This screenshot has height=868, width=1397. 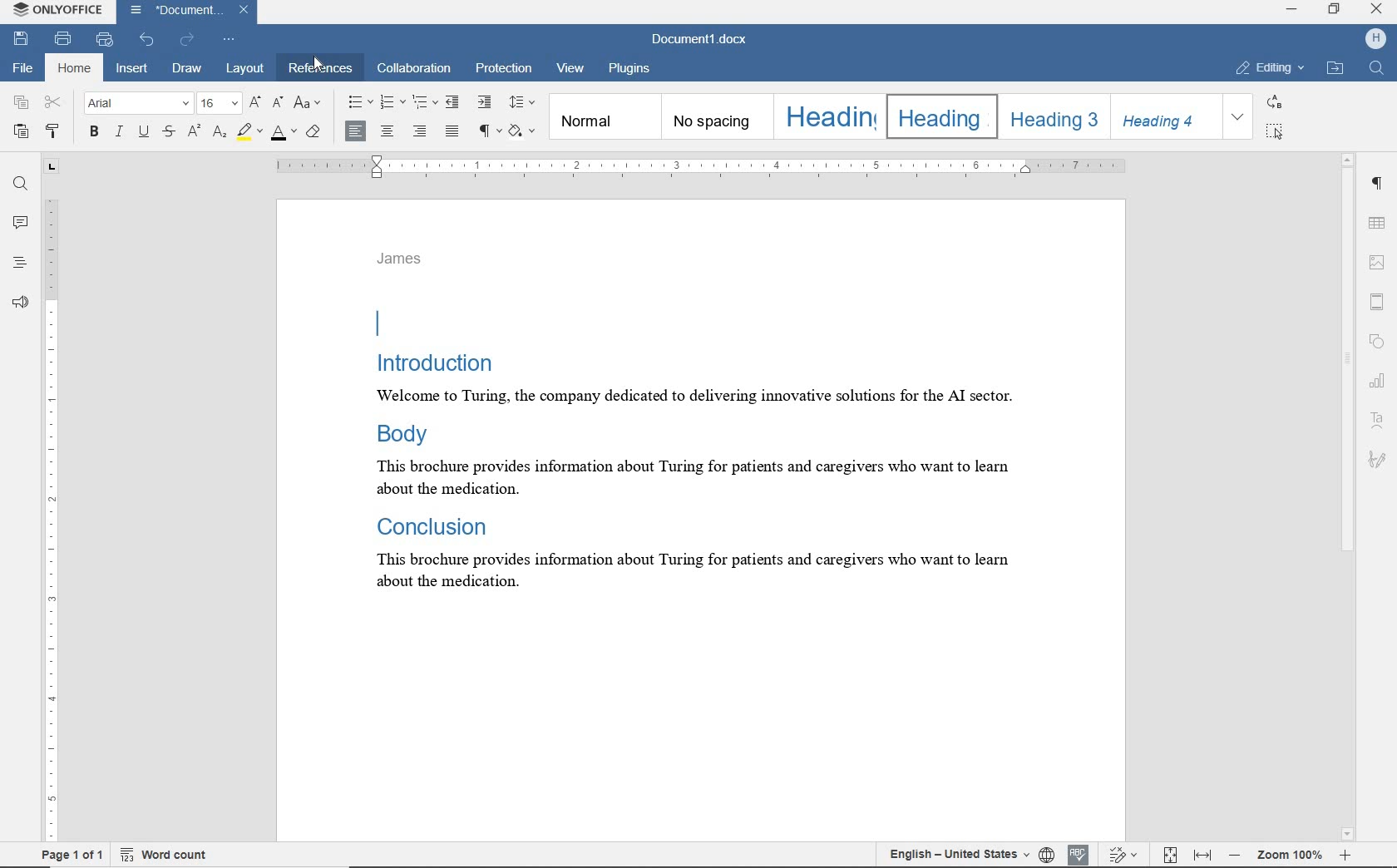 I want to click on clear style, so click(x=315, y=136).